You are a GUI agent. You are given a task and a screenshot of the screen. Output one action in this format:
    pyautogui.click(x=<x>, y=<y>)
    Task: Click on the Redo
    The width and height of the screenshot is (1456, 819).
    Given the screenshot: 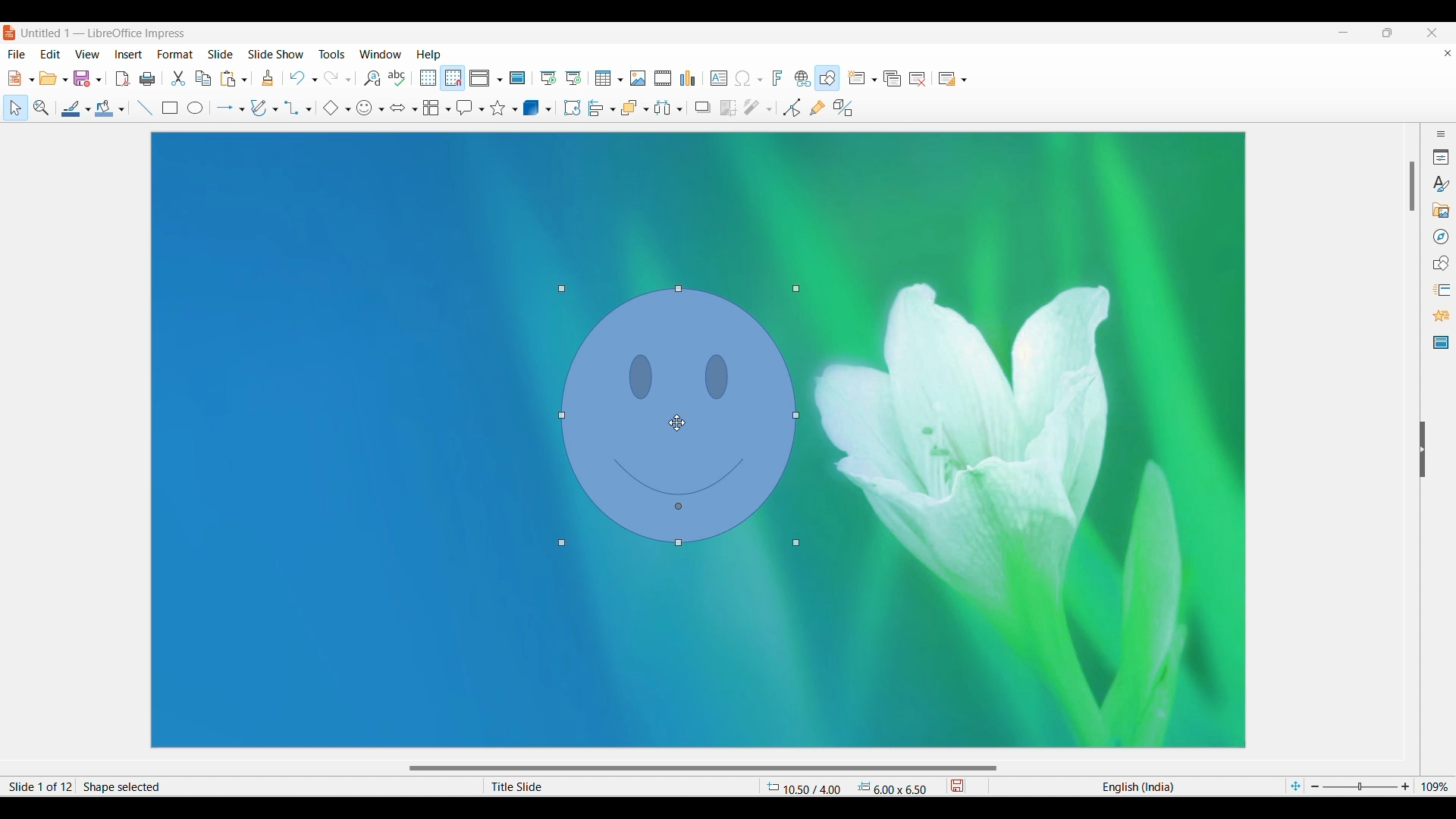 What is the action you would take?
    pyautogui.click(x=332, y=78)
    